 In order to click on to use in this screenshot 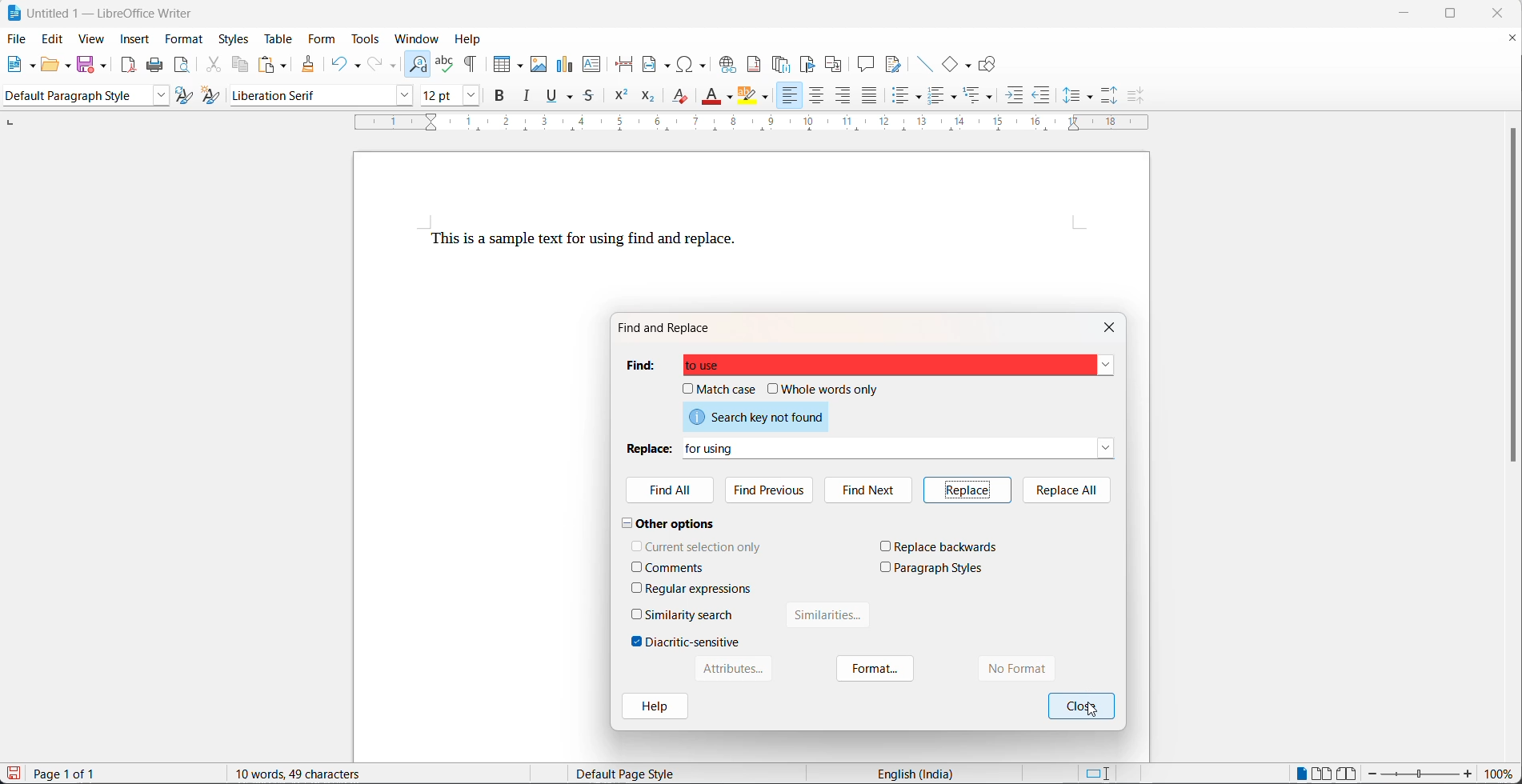, I will do `click(883, 364)`.